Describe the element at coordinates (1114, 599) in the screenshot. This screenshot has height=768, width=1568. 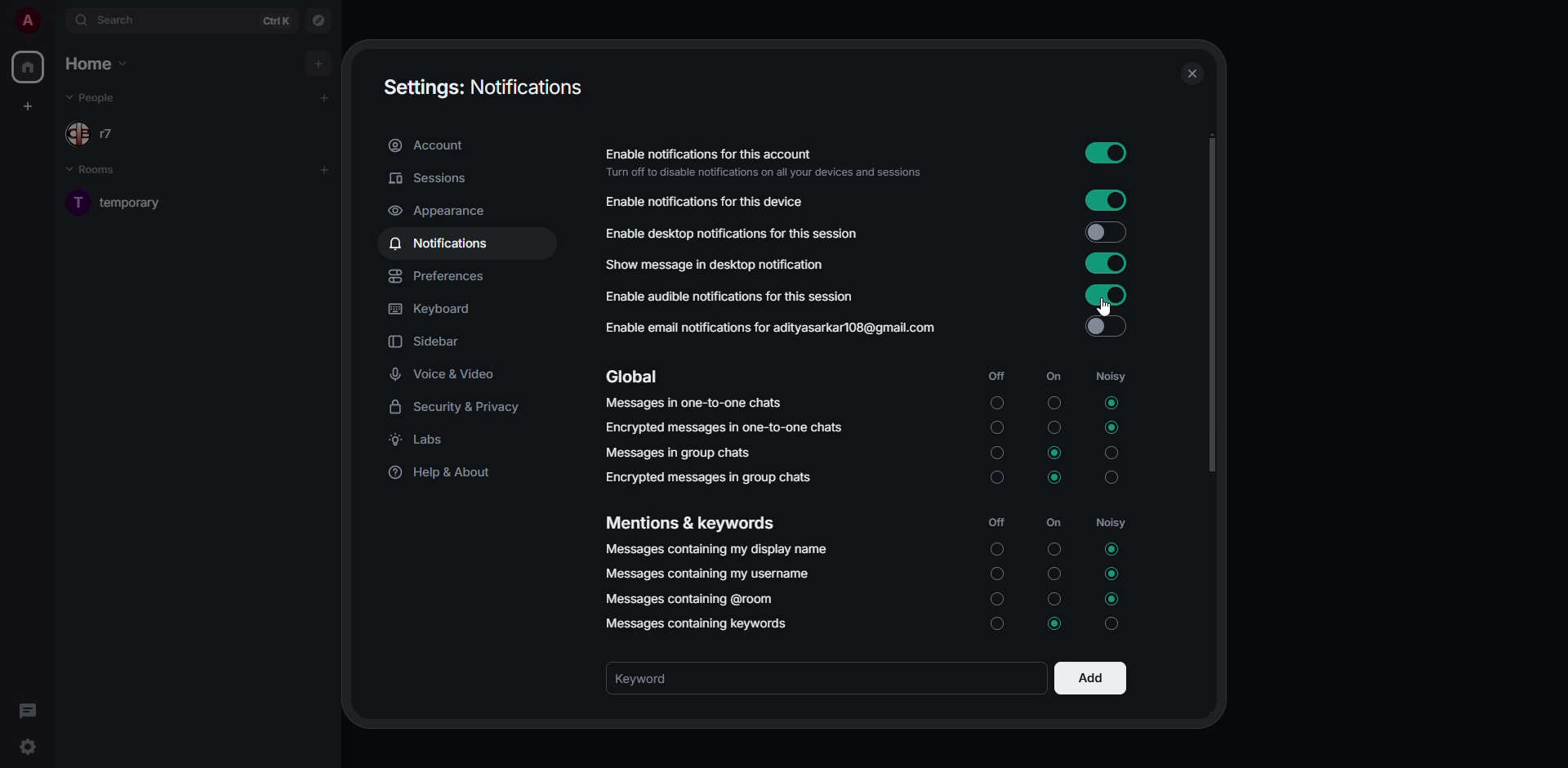
I see `selected` at that location.